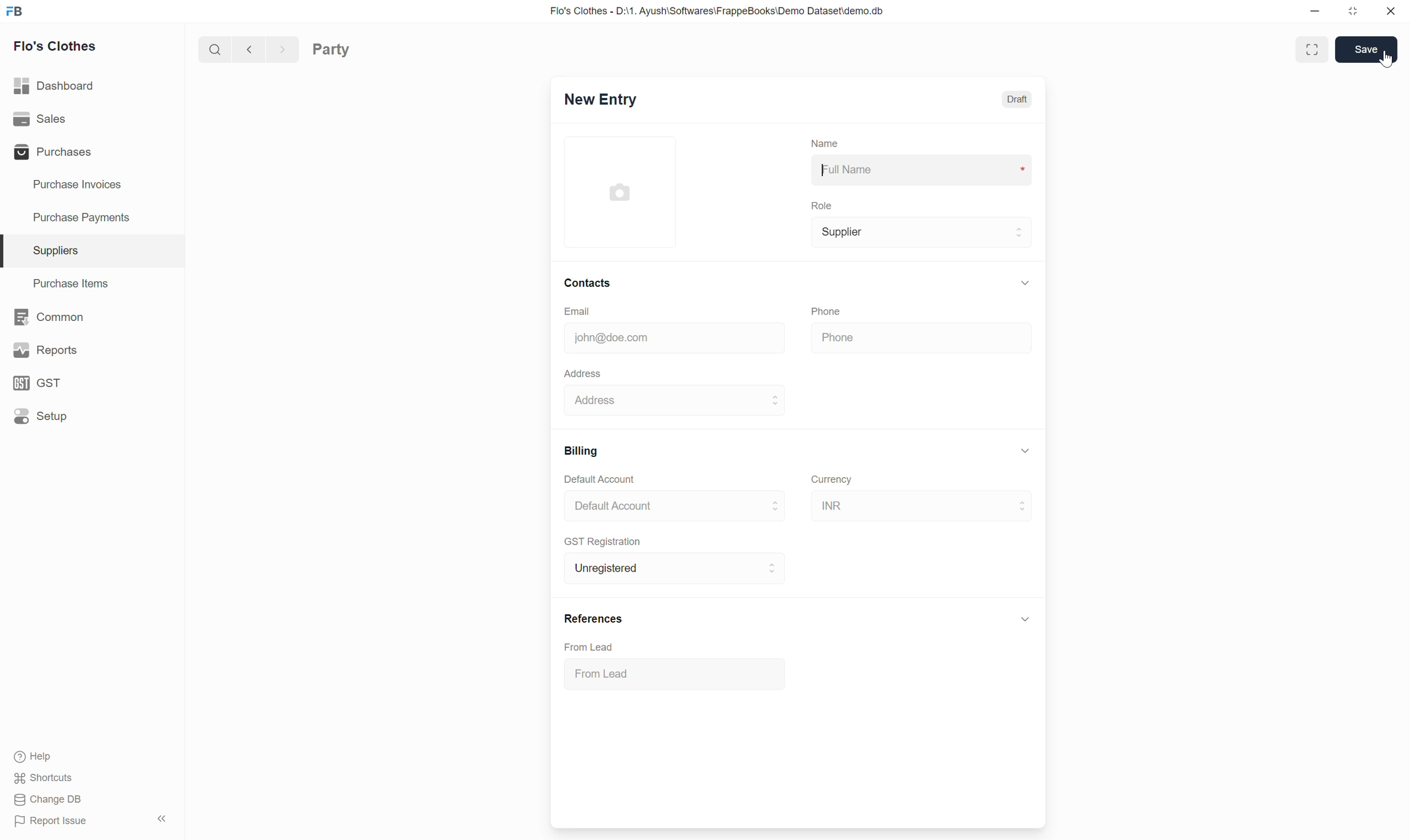  I want to click on Draft, so click(1016, 100).